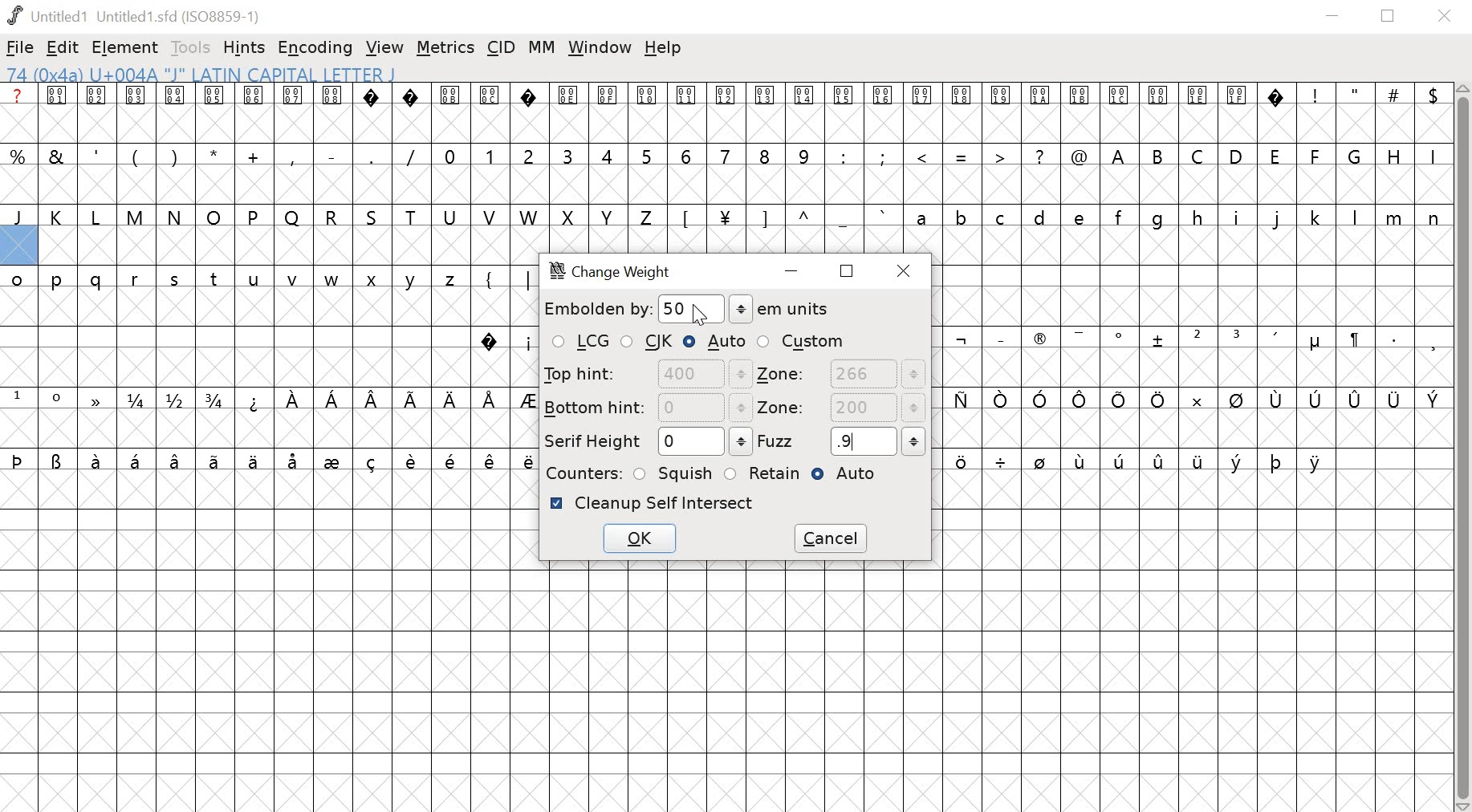 The width and height of the screenshot is (1472, 812). Describe the element at coordinates (501, 278) in the screenshot. I see `symbols` at that location.